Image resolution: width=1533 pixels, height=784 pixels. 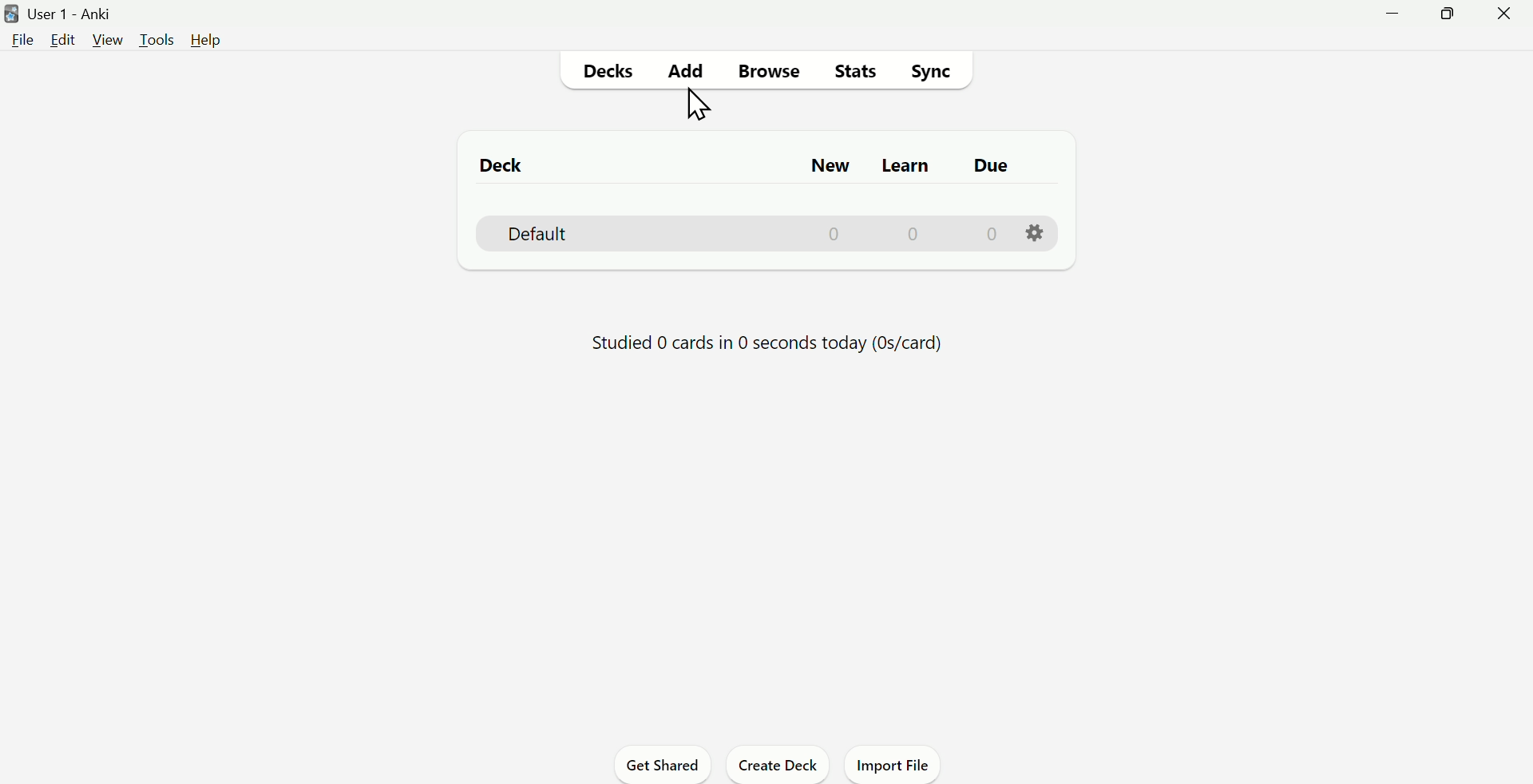 I want to click on Decks, so click(x=606, y=72).